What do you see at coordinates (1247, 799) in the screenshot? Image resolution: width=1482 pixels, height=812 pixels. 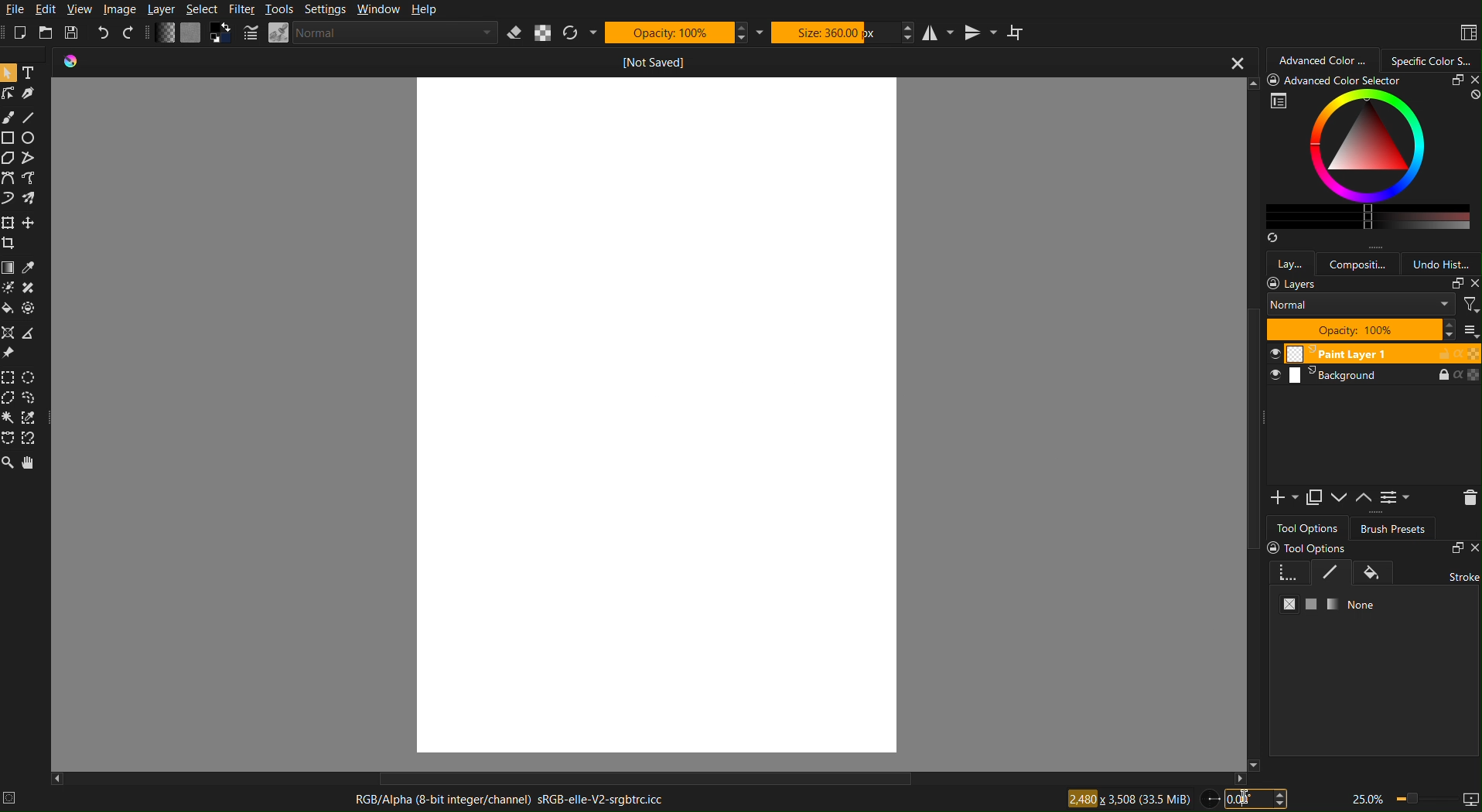 I see `I-cursor` at bounding box center [1247, 799].